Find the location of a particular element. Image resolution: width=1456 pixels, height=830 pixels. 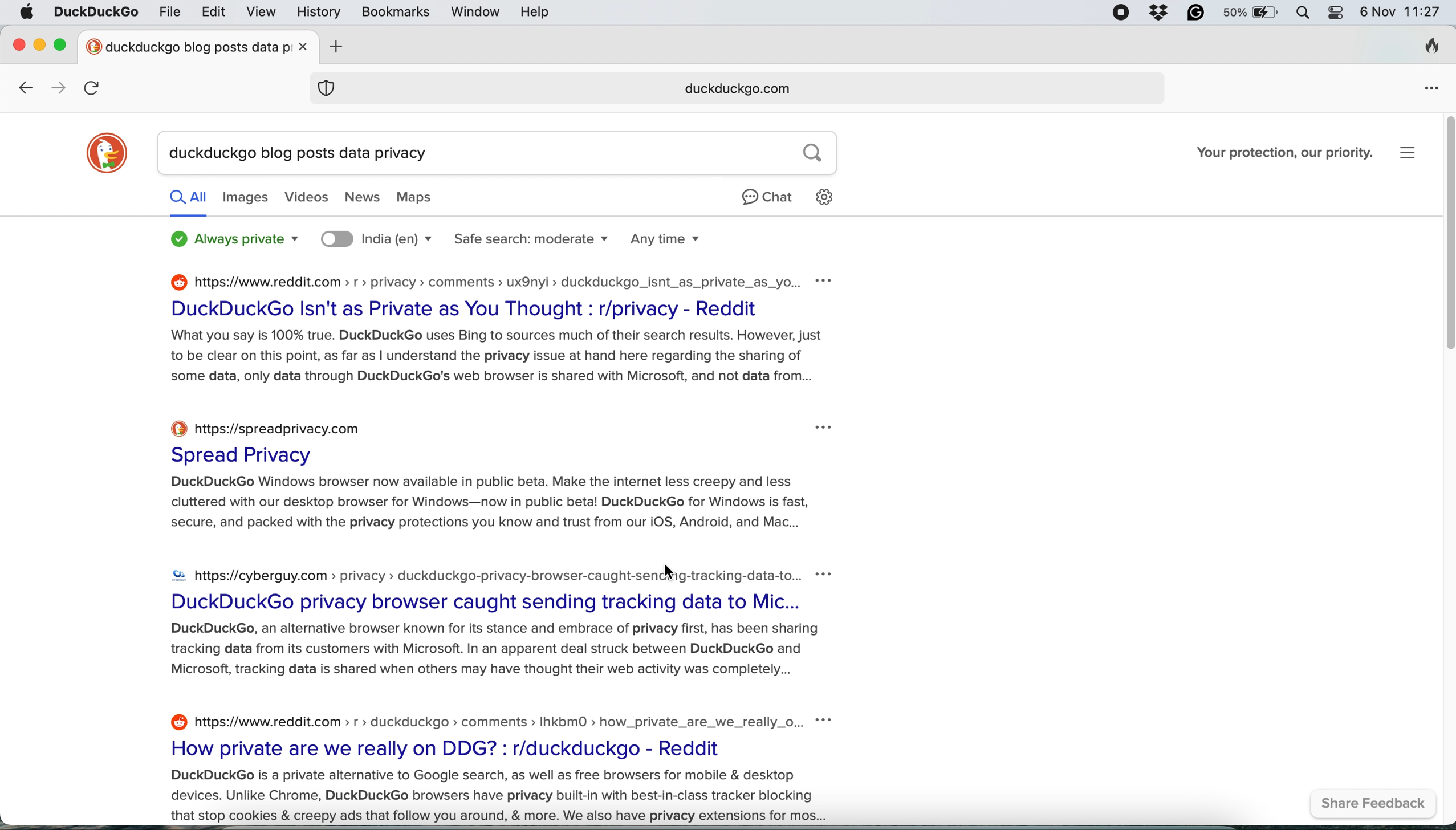

open application menu is located at coordinates (1431, 88).